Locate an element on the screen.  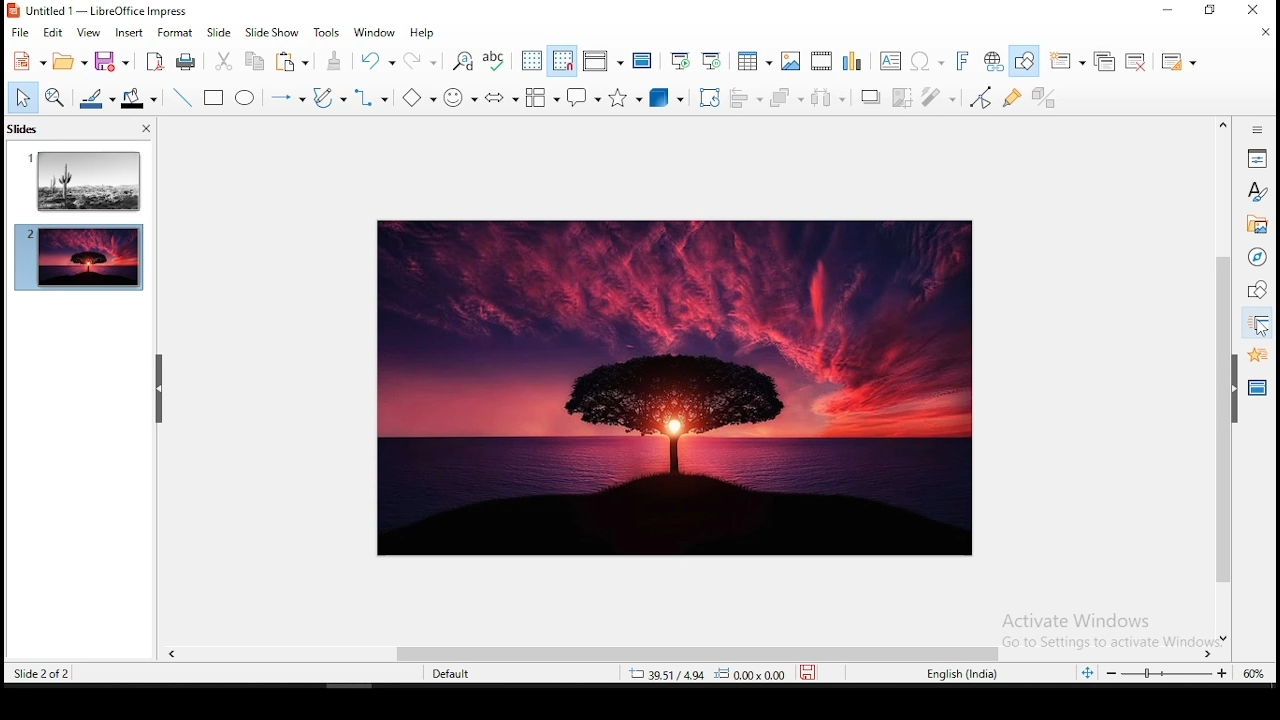
callout shapes is located at coordinates (583, 96).